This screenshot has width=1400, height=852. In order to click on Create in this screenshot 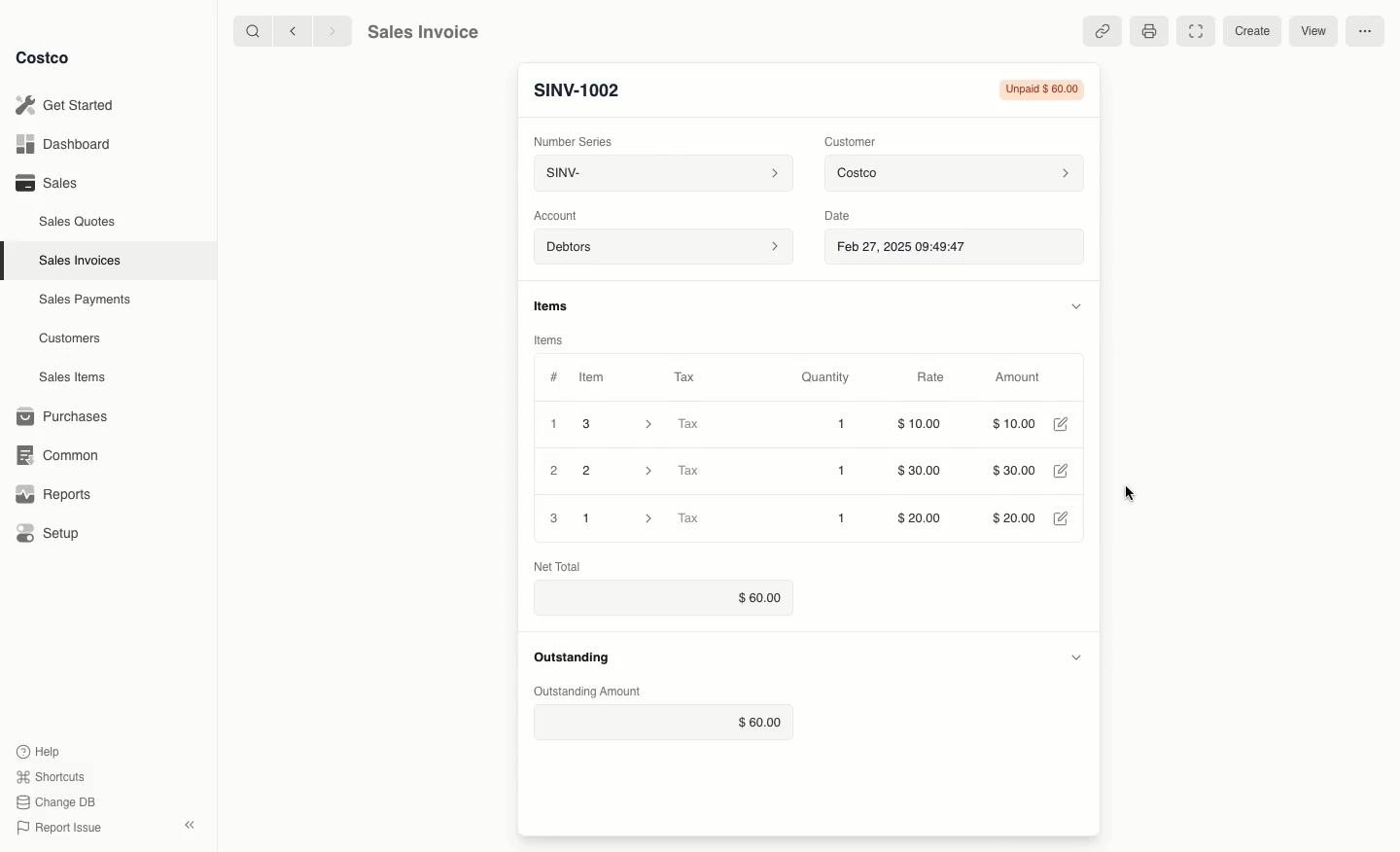, I will do `click(1253, 30)`.